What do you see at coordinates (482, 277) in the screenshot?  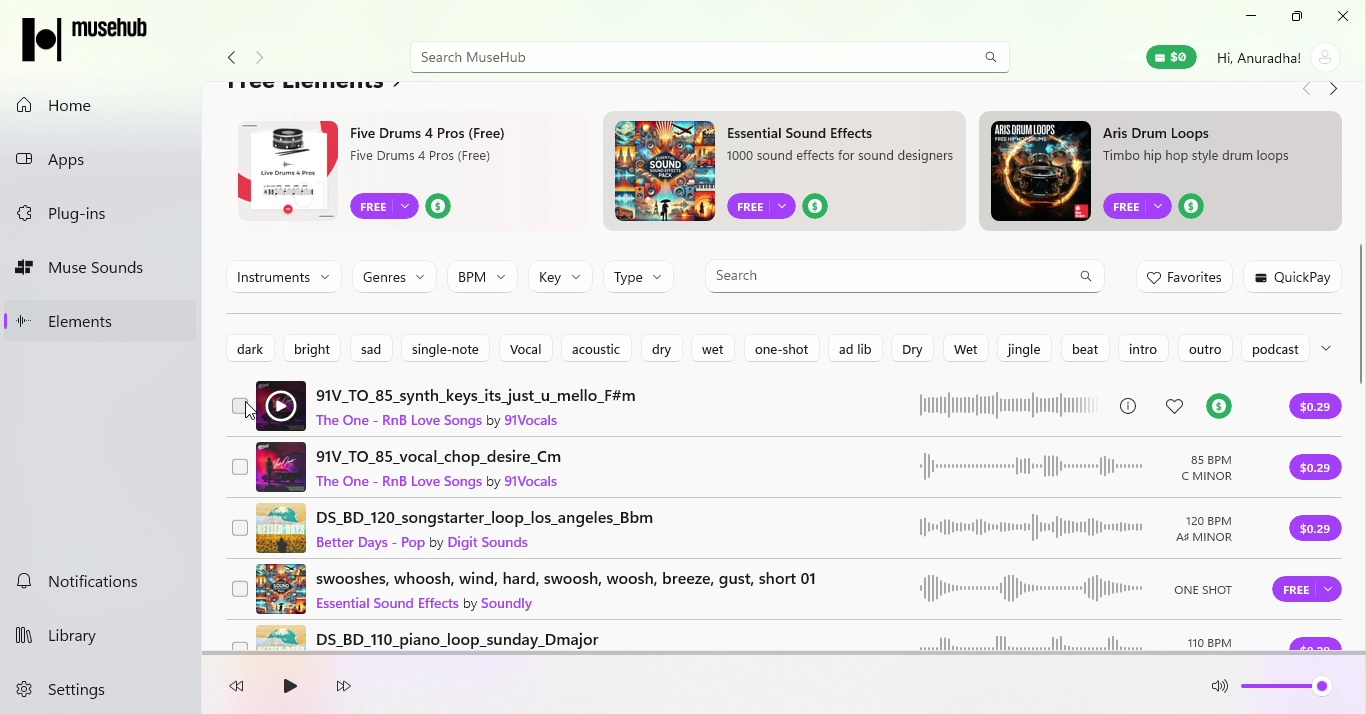 I see `BPM` at bounding box center [482, 277].